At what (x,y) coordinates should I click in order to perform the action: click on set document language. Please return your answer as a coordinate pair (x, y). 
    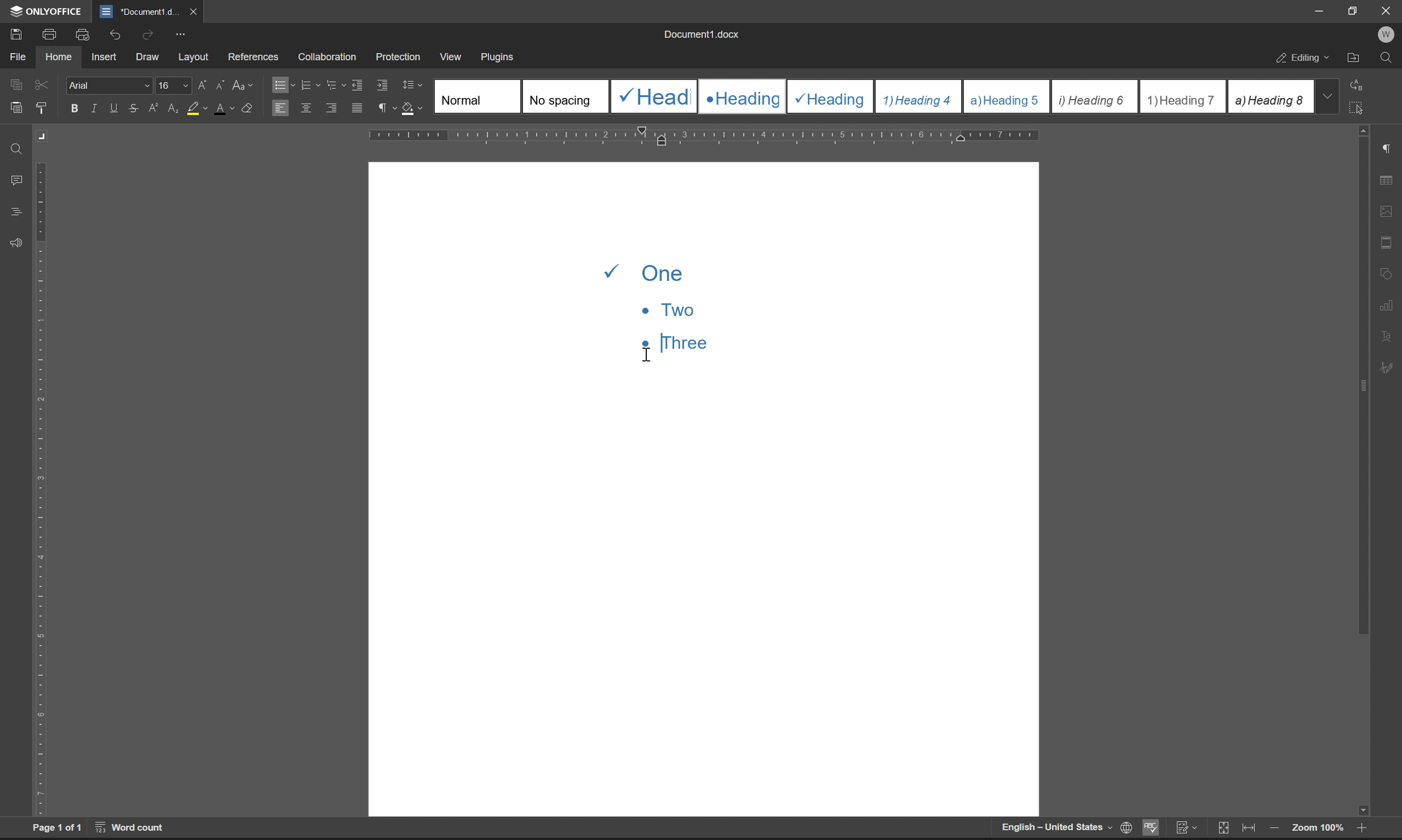
    Looking at the image, I should click on (1124, 828).